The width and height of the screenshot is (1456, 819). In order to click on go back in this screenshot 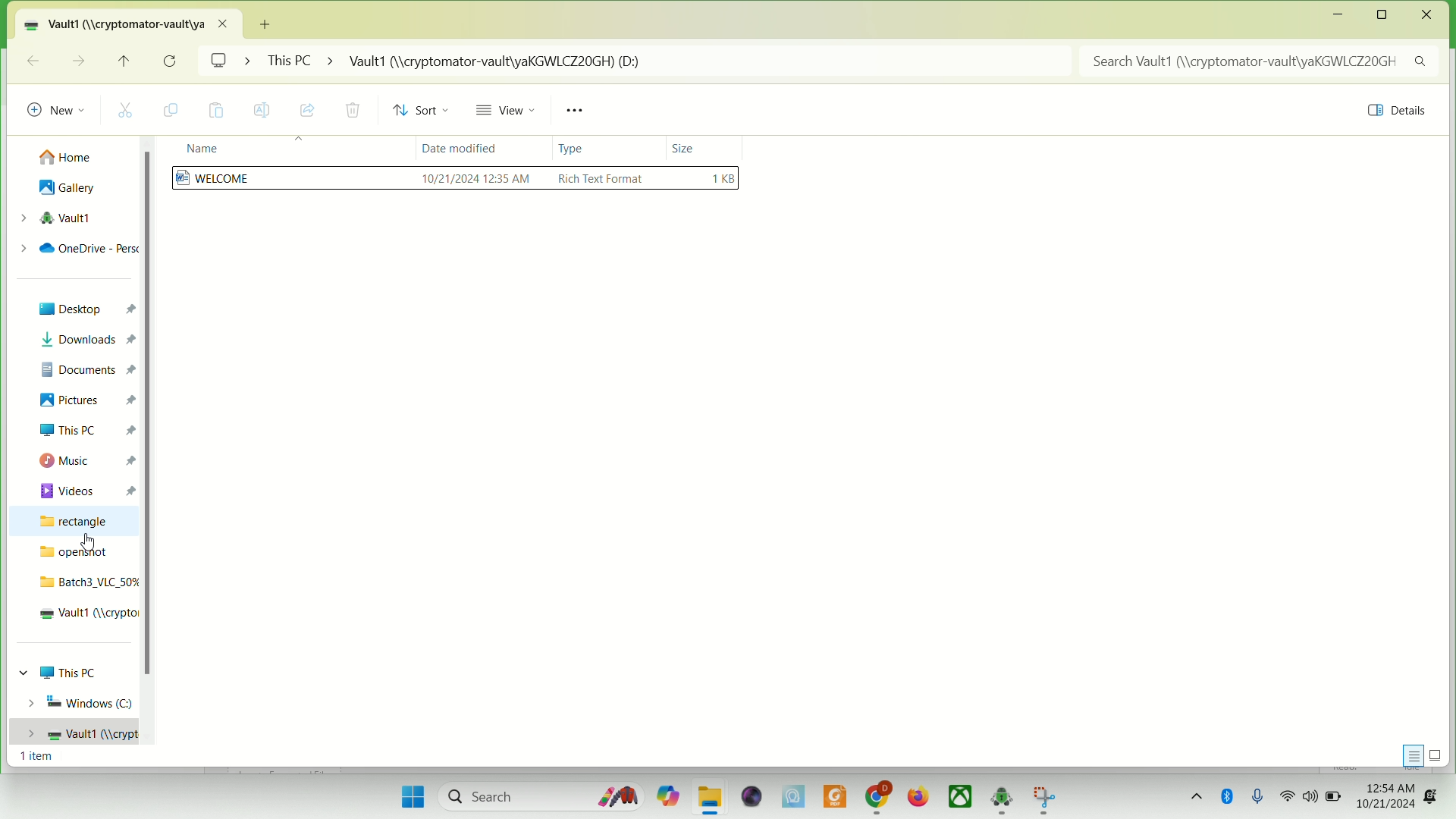, I will do `click(33, 60)`.